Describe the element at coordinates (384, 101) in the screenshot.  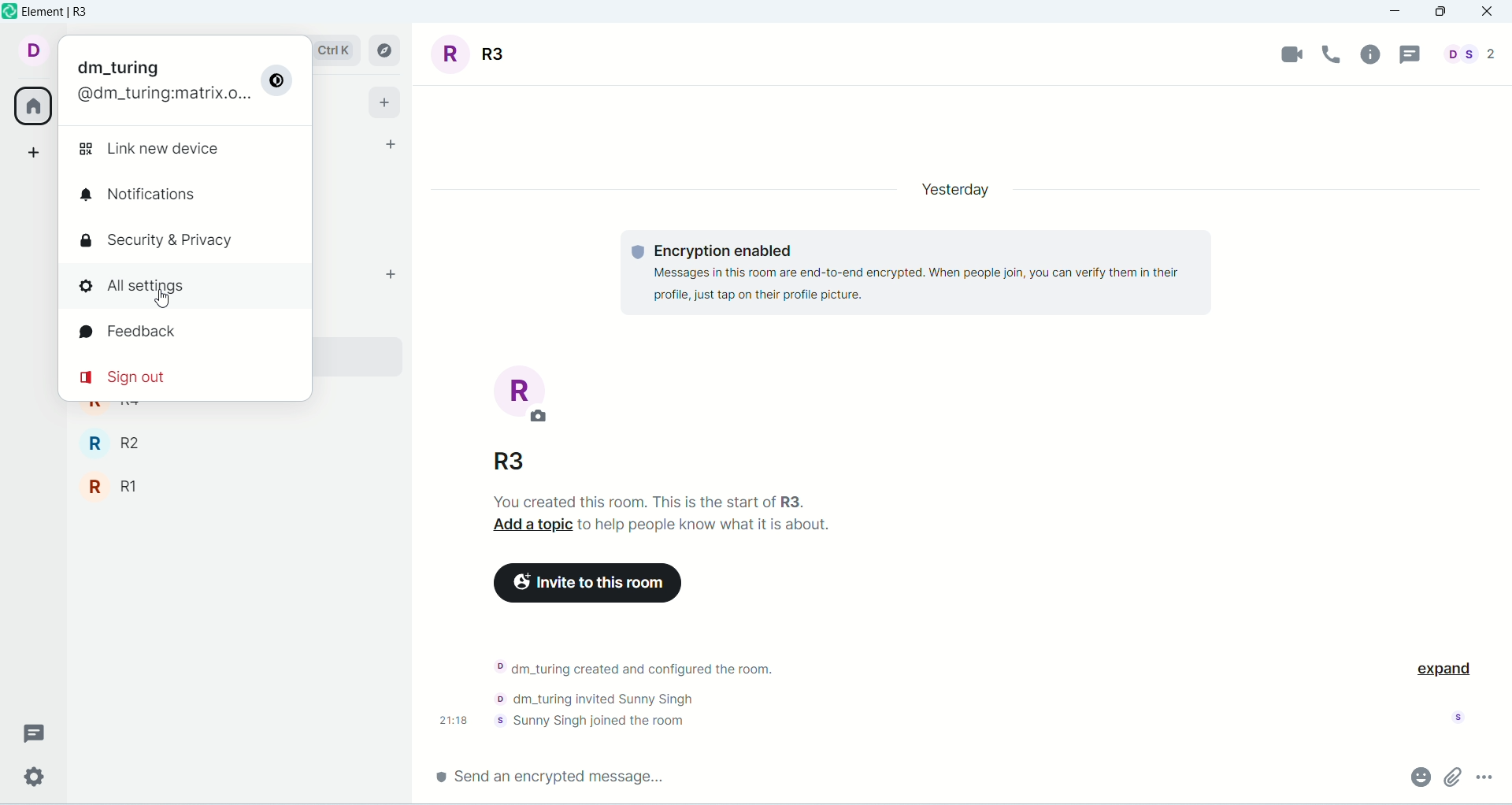
I see `add` at that location.